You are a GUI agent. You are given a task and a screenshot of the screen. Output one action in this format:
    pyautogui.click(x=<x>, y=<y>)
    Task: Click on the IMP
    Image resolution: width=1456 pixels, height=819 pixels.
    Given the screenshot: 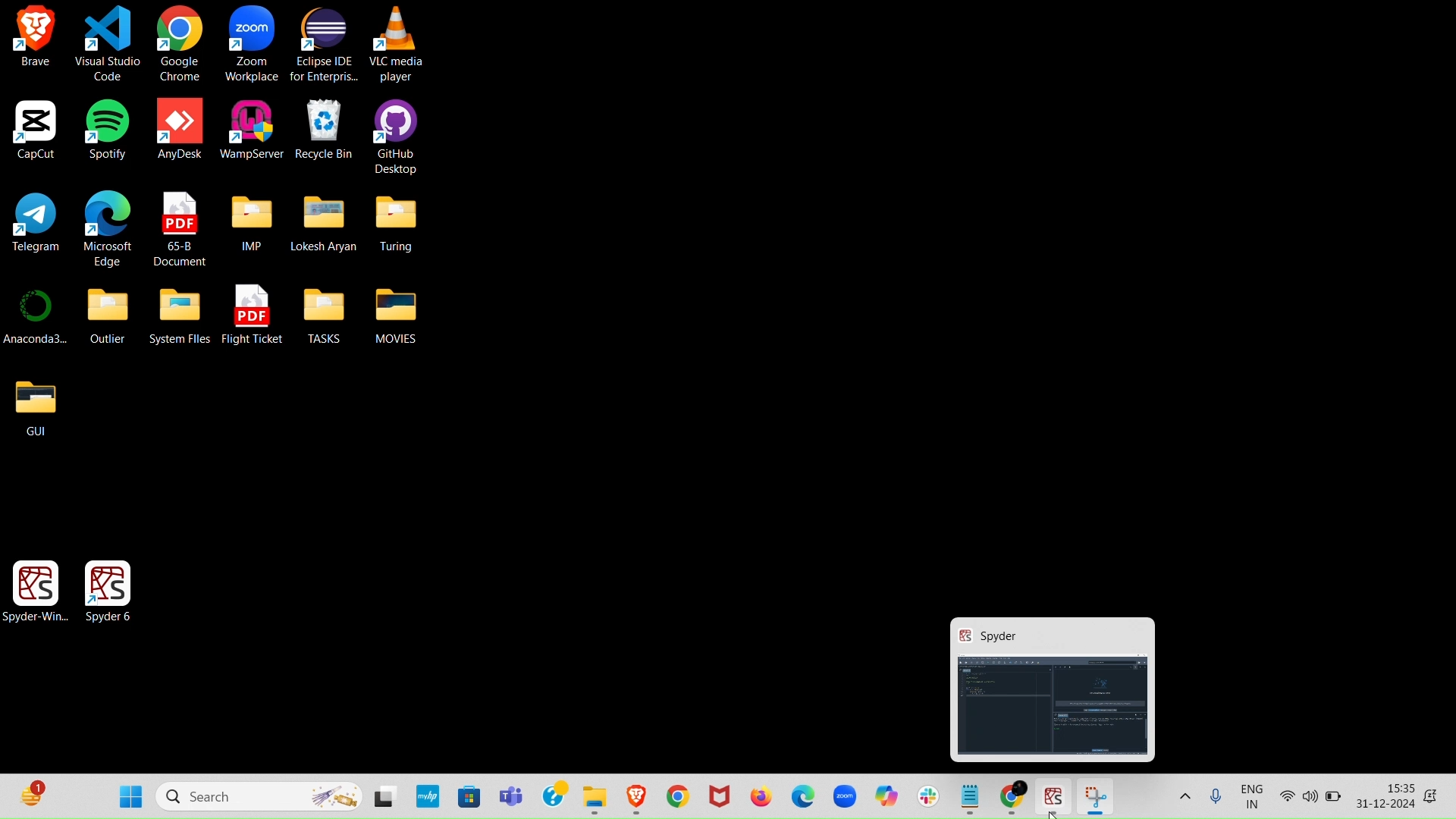 What is the action you would take?
    pyautogui.click(x=251, y=224)
    